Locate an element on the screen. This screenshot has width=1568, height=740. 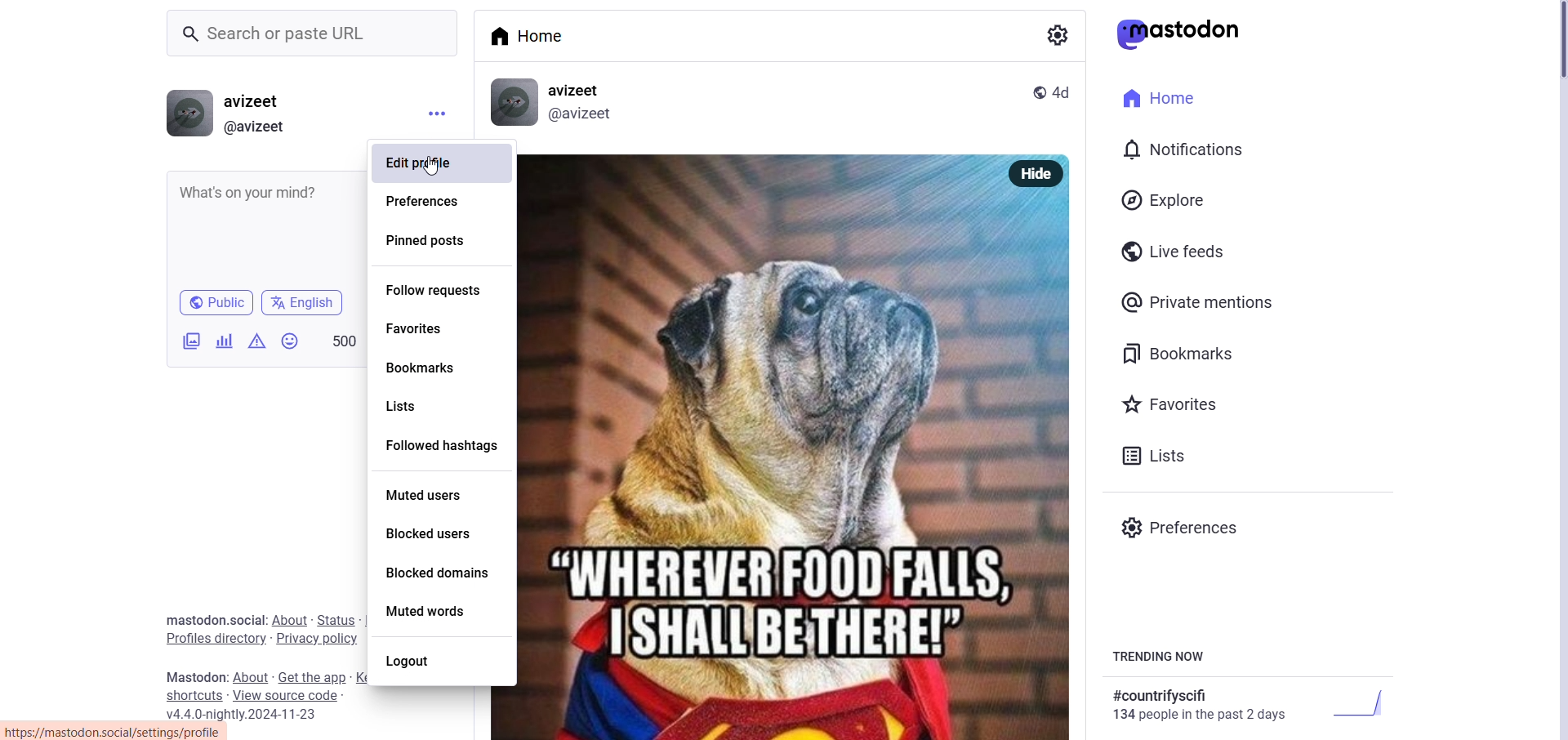
last modified is located at coordinates (1063, 92).